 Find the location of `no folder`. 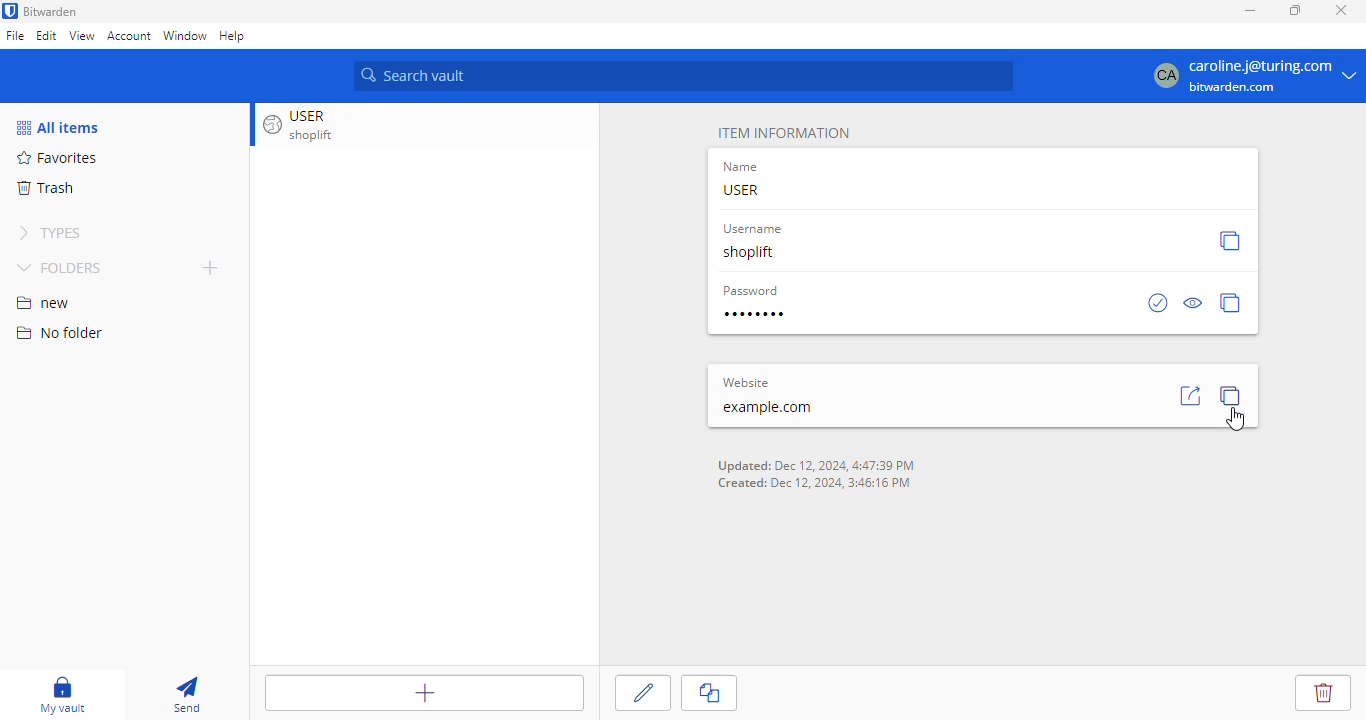

no folder is located at coordinates (60, 333).